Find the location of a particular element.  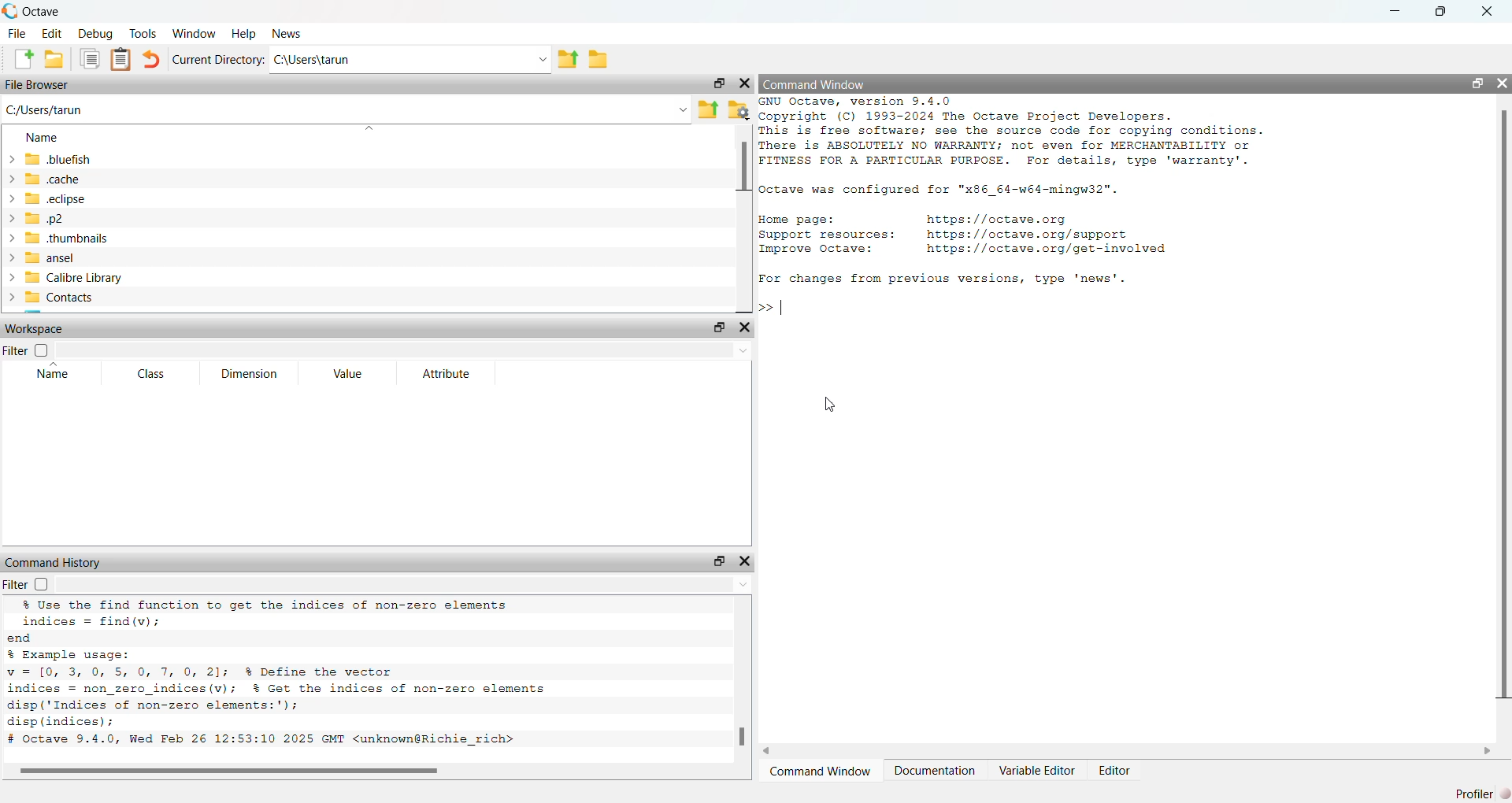

Name is located at coordinates (54, 376).